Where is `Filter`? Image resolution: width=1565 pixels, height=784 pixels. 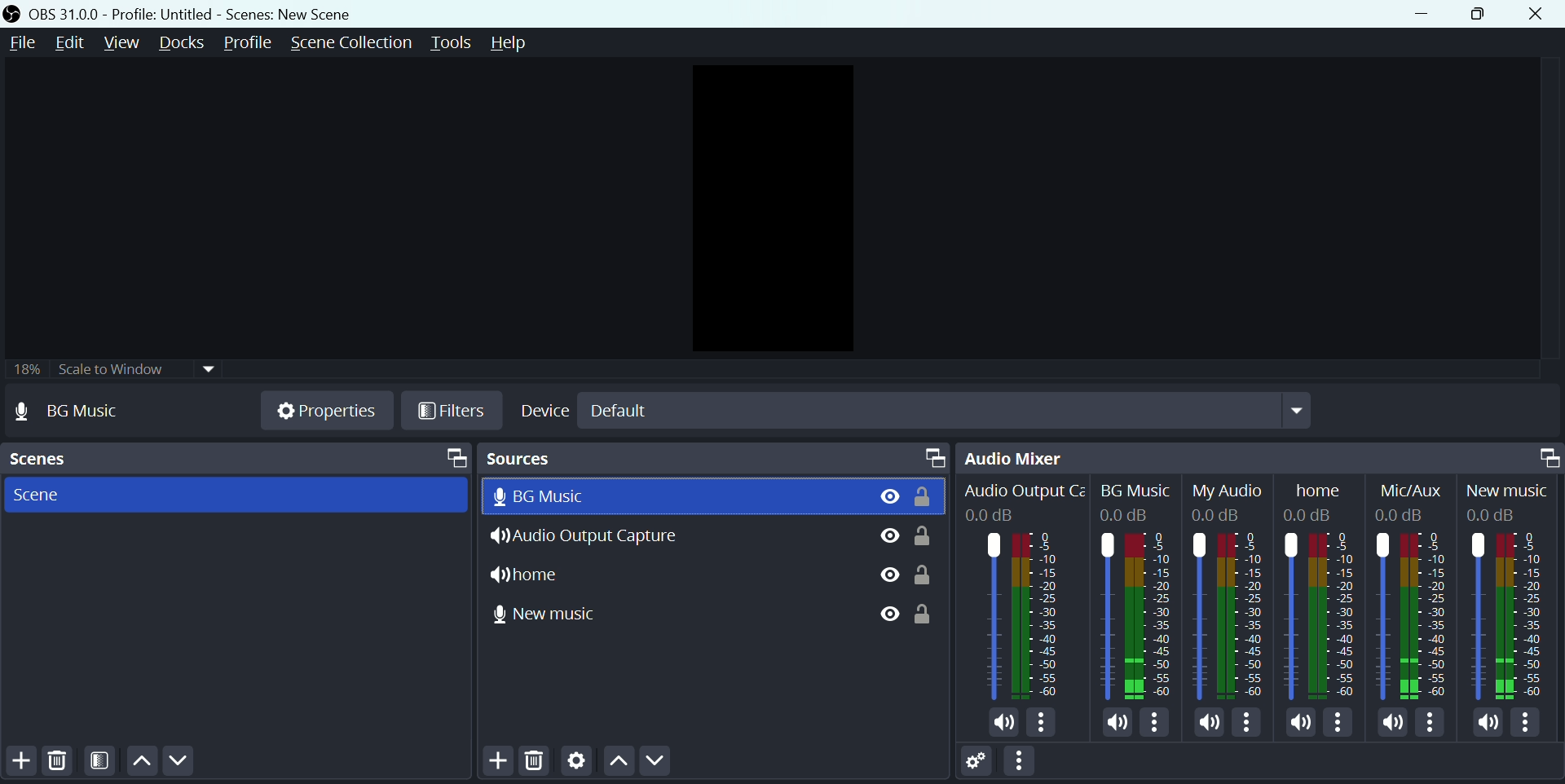
Filter is located at coordinates (451, 411).